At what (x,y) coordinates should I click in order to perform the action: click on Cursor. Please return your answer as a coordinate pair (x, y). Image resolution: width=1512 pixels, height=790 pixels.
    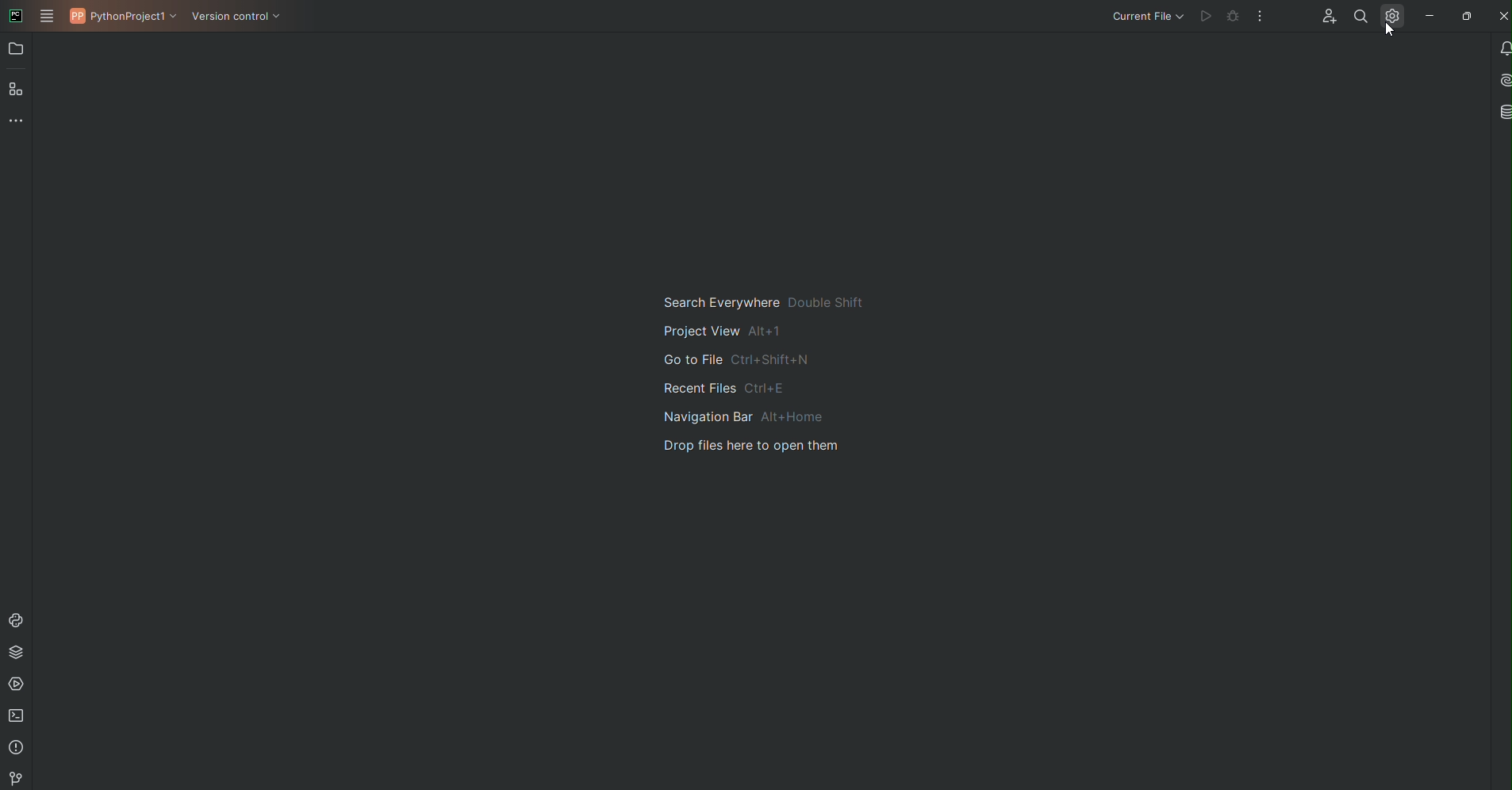
    Looking at the image, I should click on (1392, 29).